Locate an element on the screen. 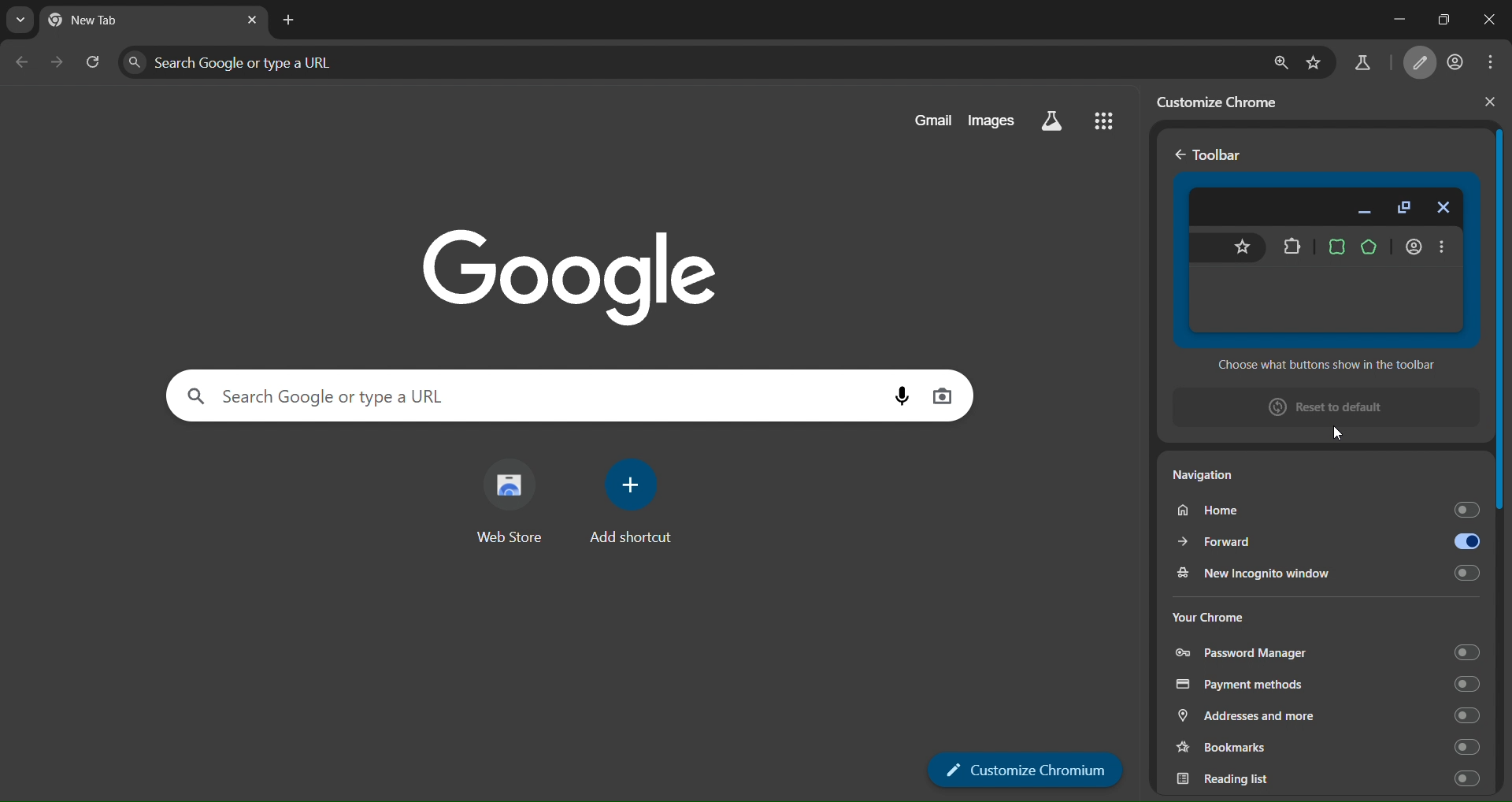 The height and width of the screenshot is (802, 1512). customize chrome is located at coordinates (1227, 100).